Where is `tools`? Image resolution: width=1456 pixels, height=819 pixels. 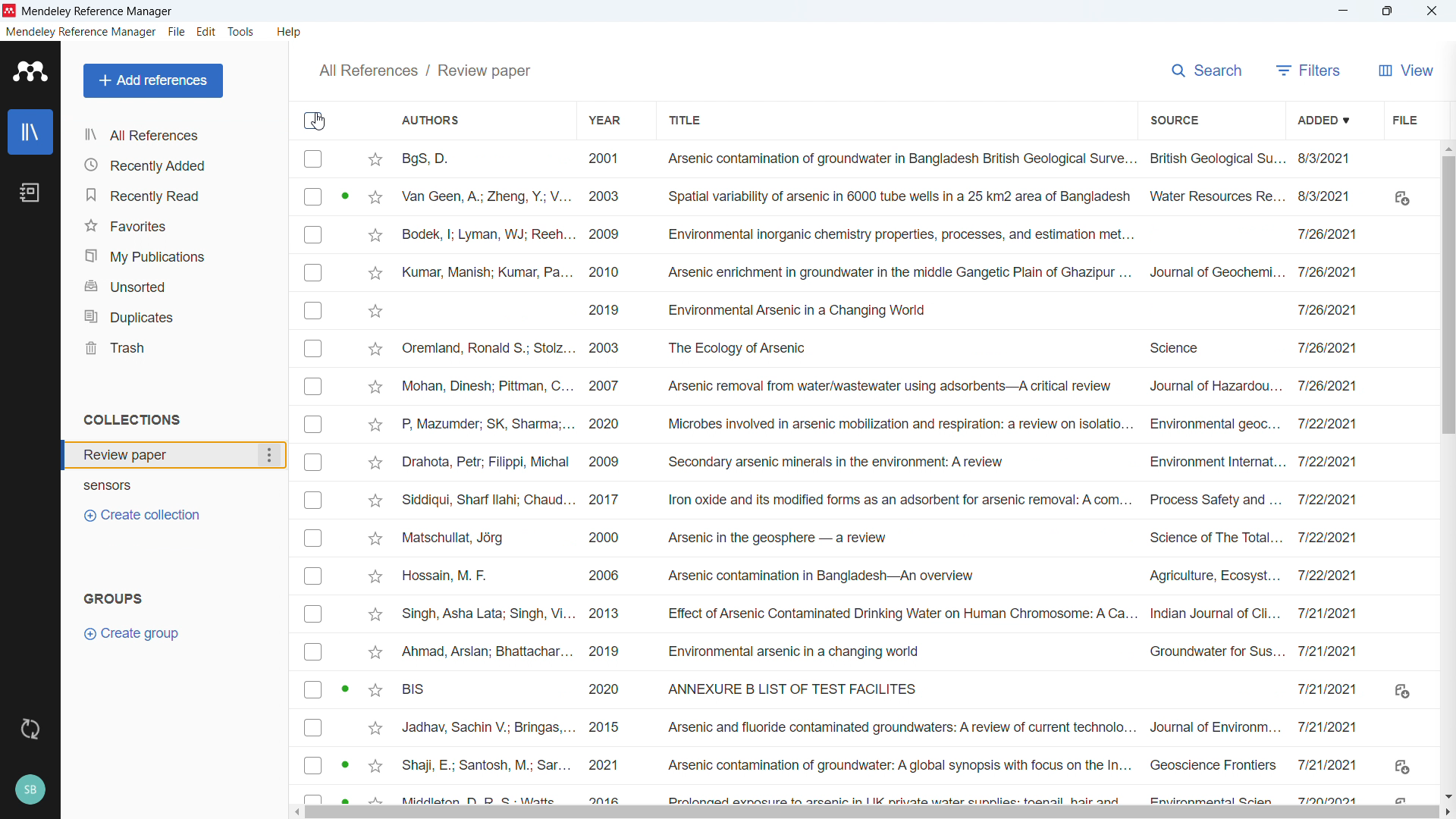
tools is located at coordinates (243, 31).